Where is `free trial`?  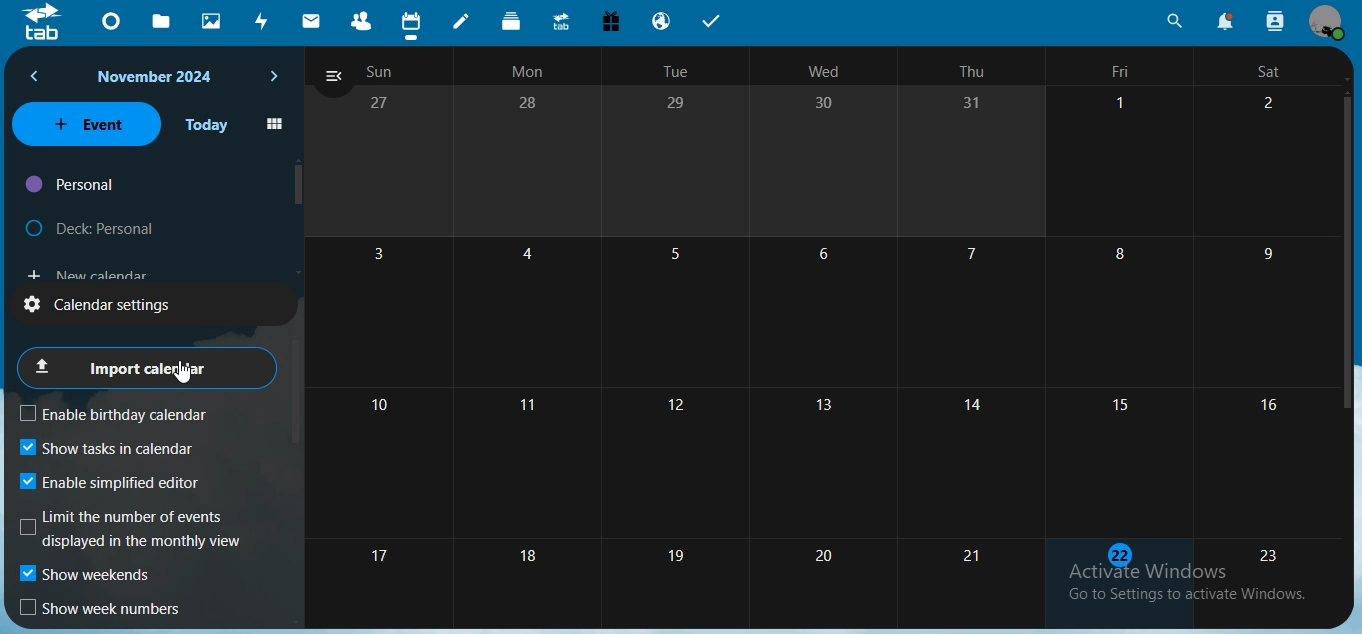
free trial is located at coordinates (610, 21).